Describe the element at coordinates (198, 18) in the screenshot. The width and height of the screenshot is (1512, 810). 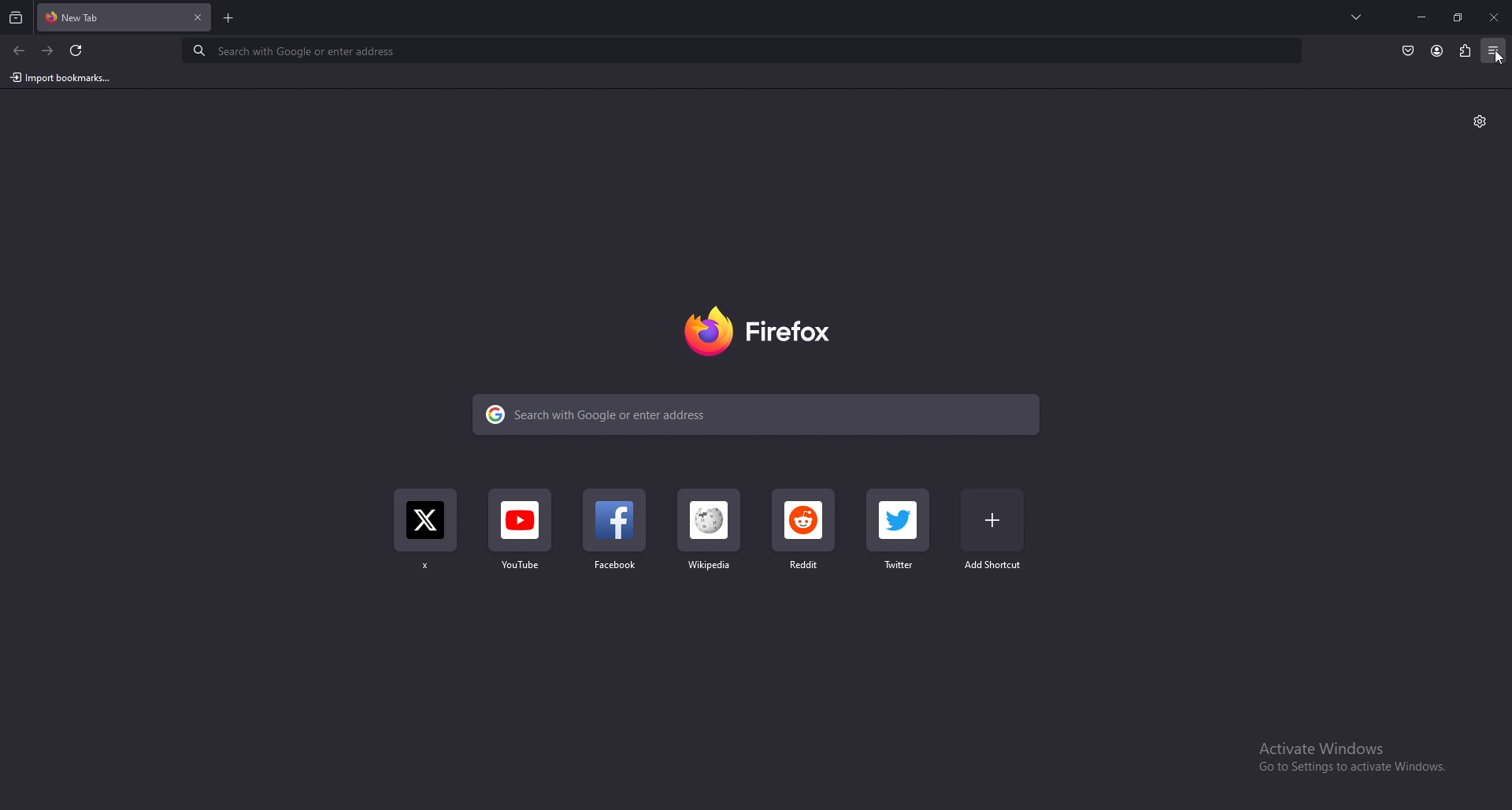
I see `close tab` at that location.